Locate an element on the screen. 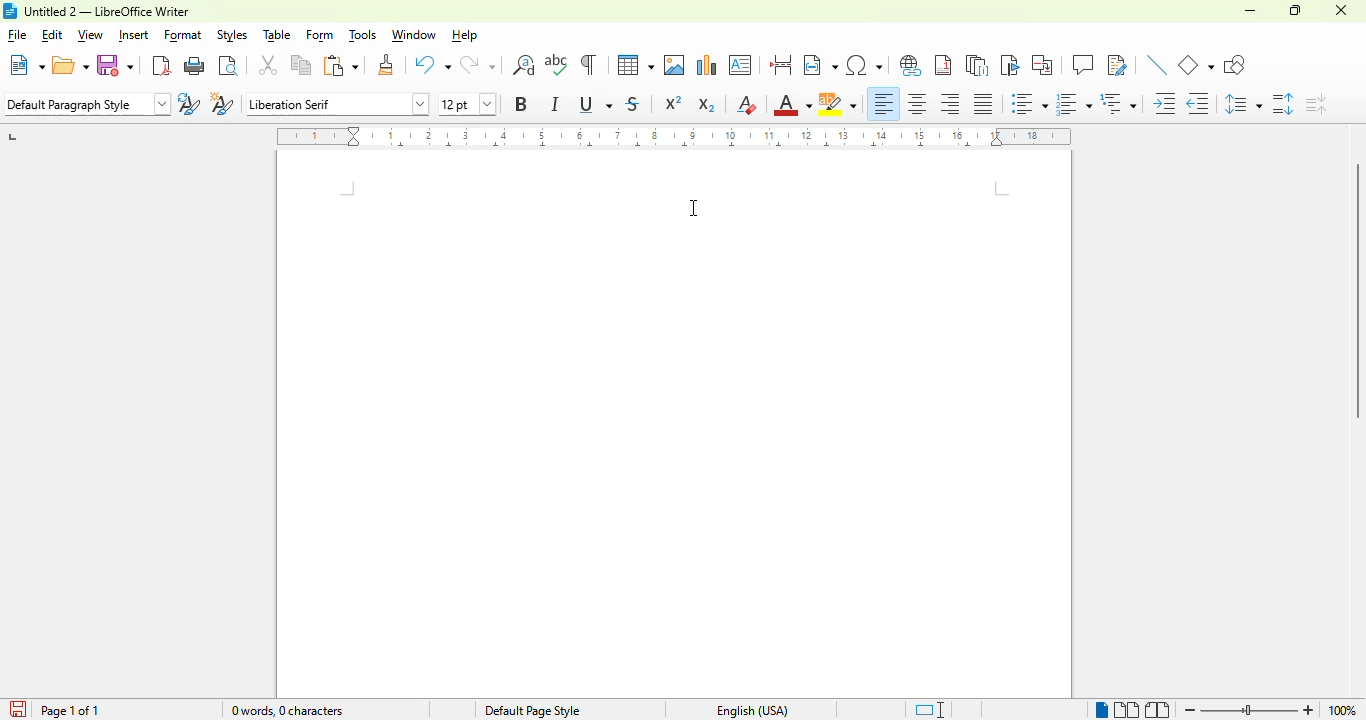  help is located at coordinates (465, 34).